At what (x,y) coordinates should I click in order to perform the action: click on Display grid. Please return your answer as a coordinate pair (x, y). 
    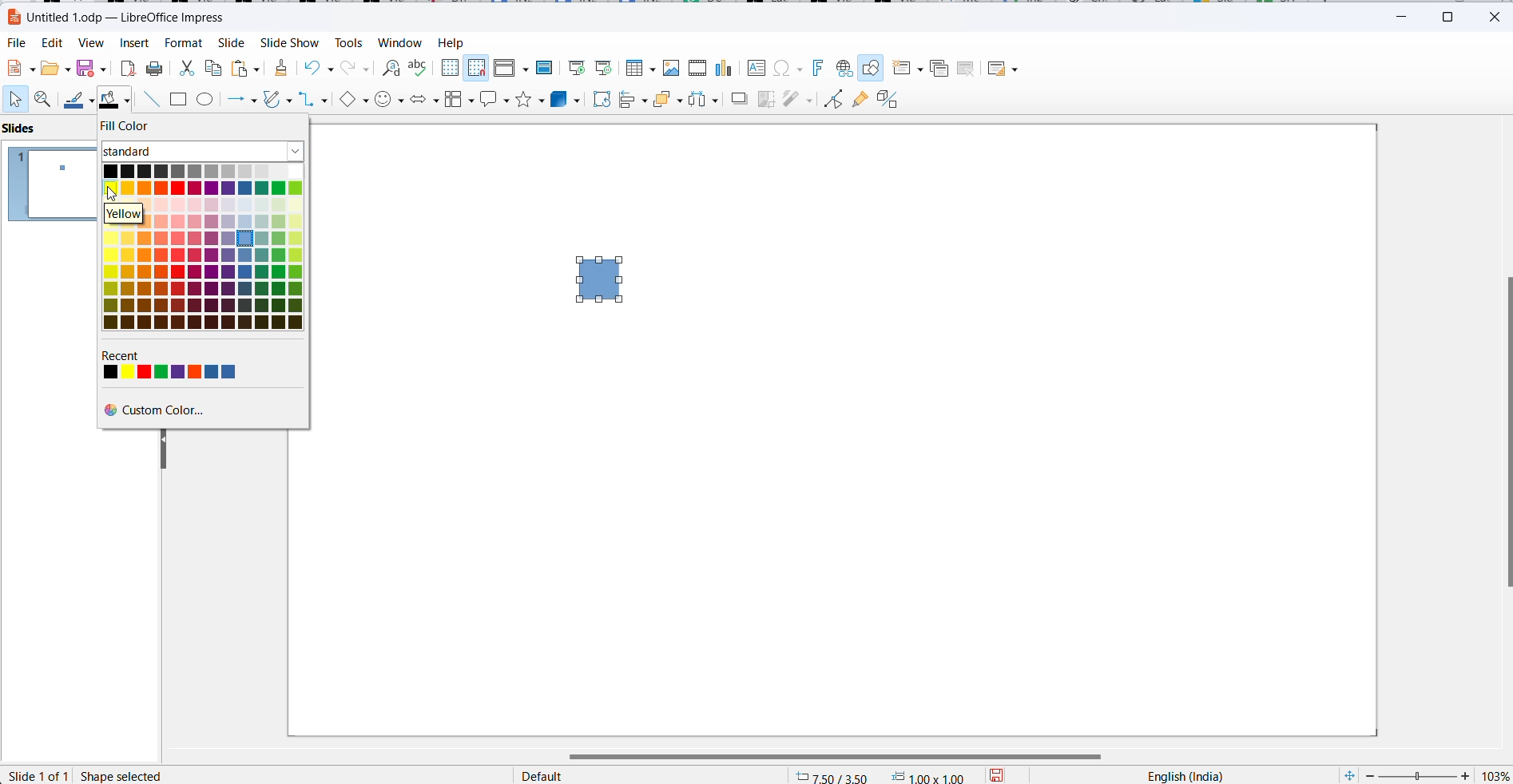
    Looking at the image, I should click on (450, 66).